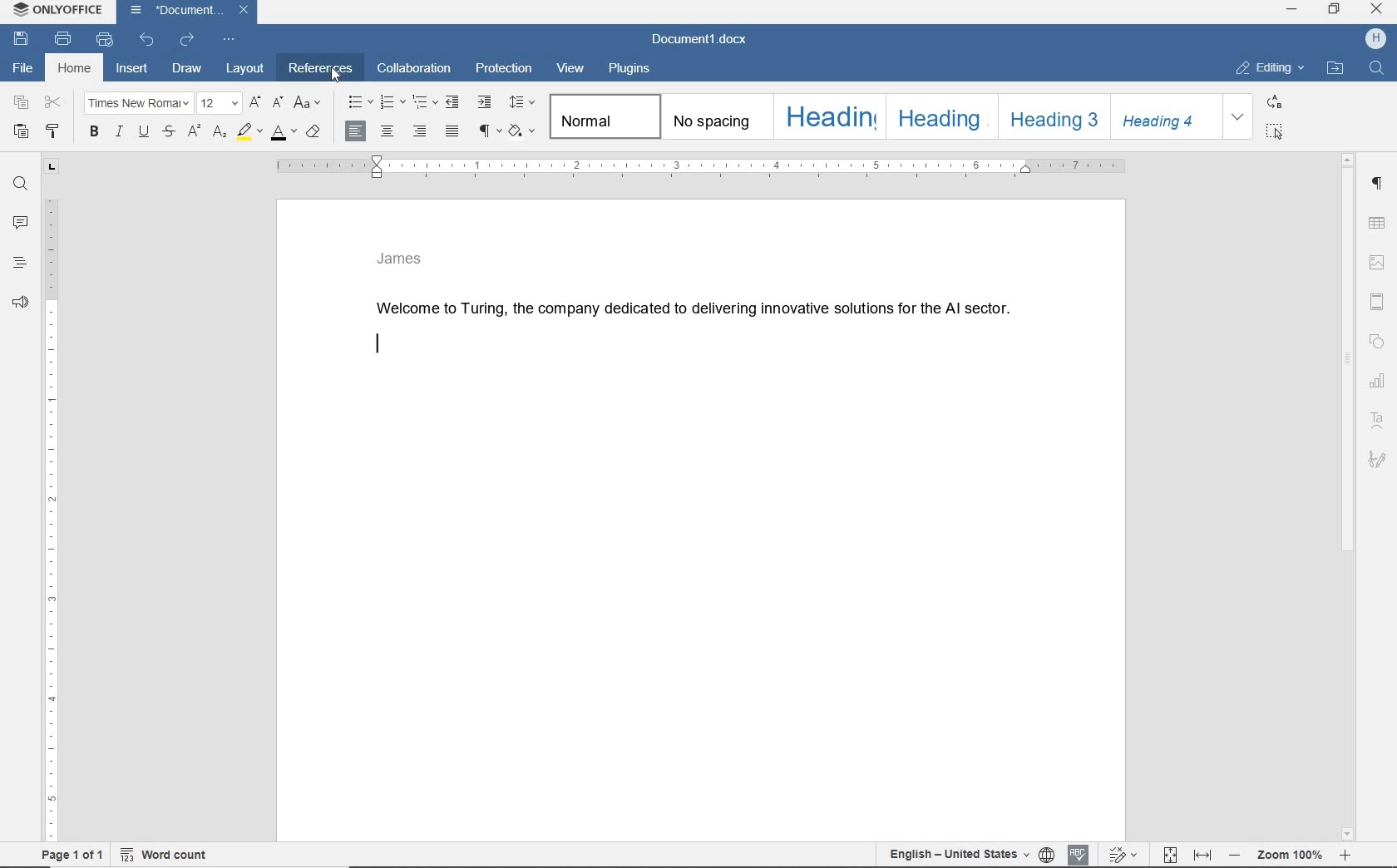 The height and width of the screenshot is (868, 1397). What do you see at coordinates (137, 104) in the screenshot?
I see `font name` at bounding box center [137, 104].